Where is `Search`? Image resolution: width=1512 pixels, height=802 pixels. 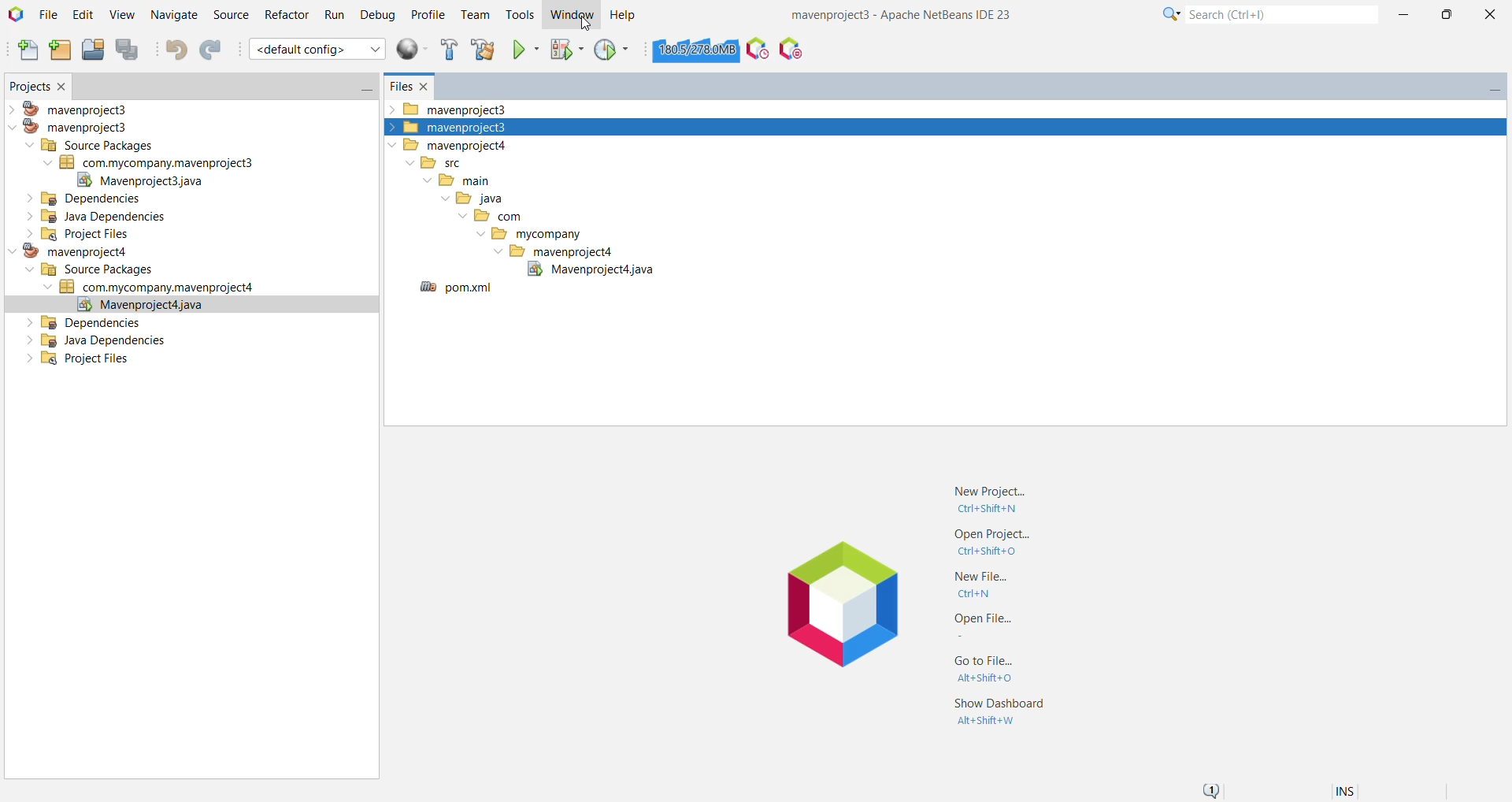
Search is located at coordinates (1280, 16).